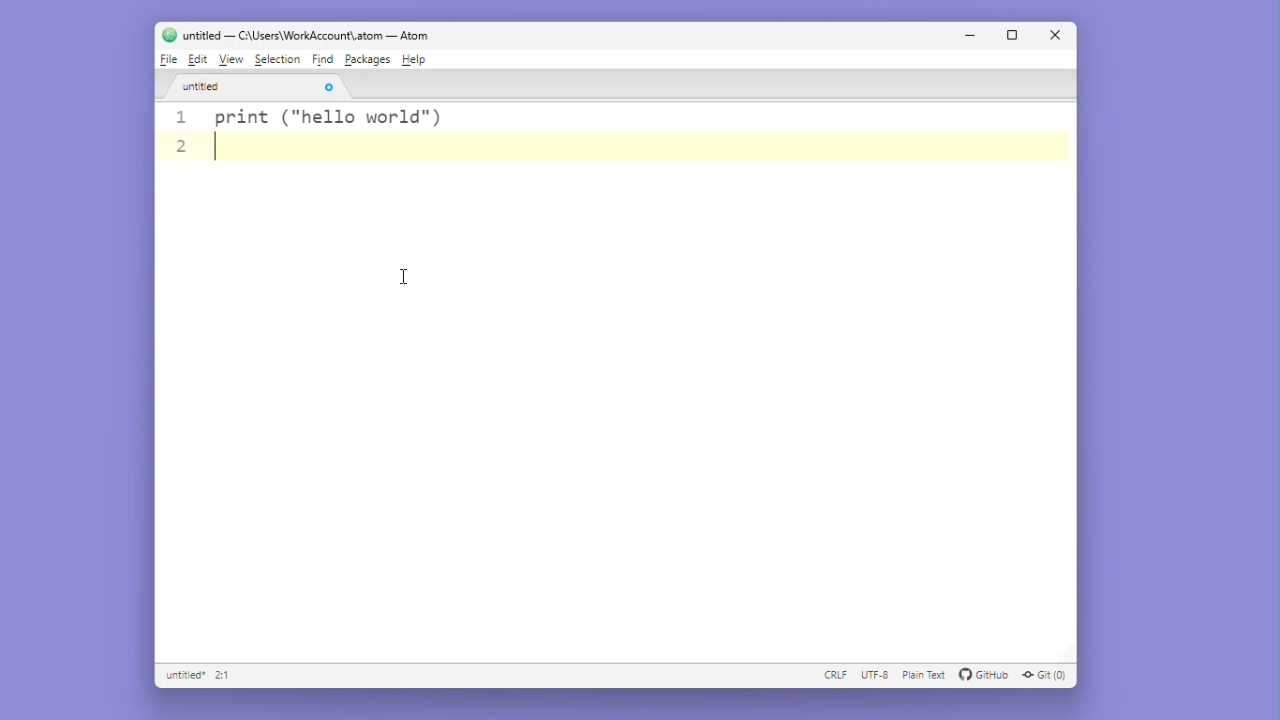 The image size is (1280, 720). Describe the element at coordinates (1014, 37) in the screenshot. I see `Maximize` at that location.